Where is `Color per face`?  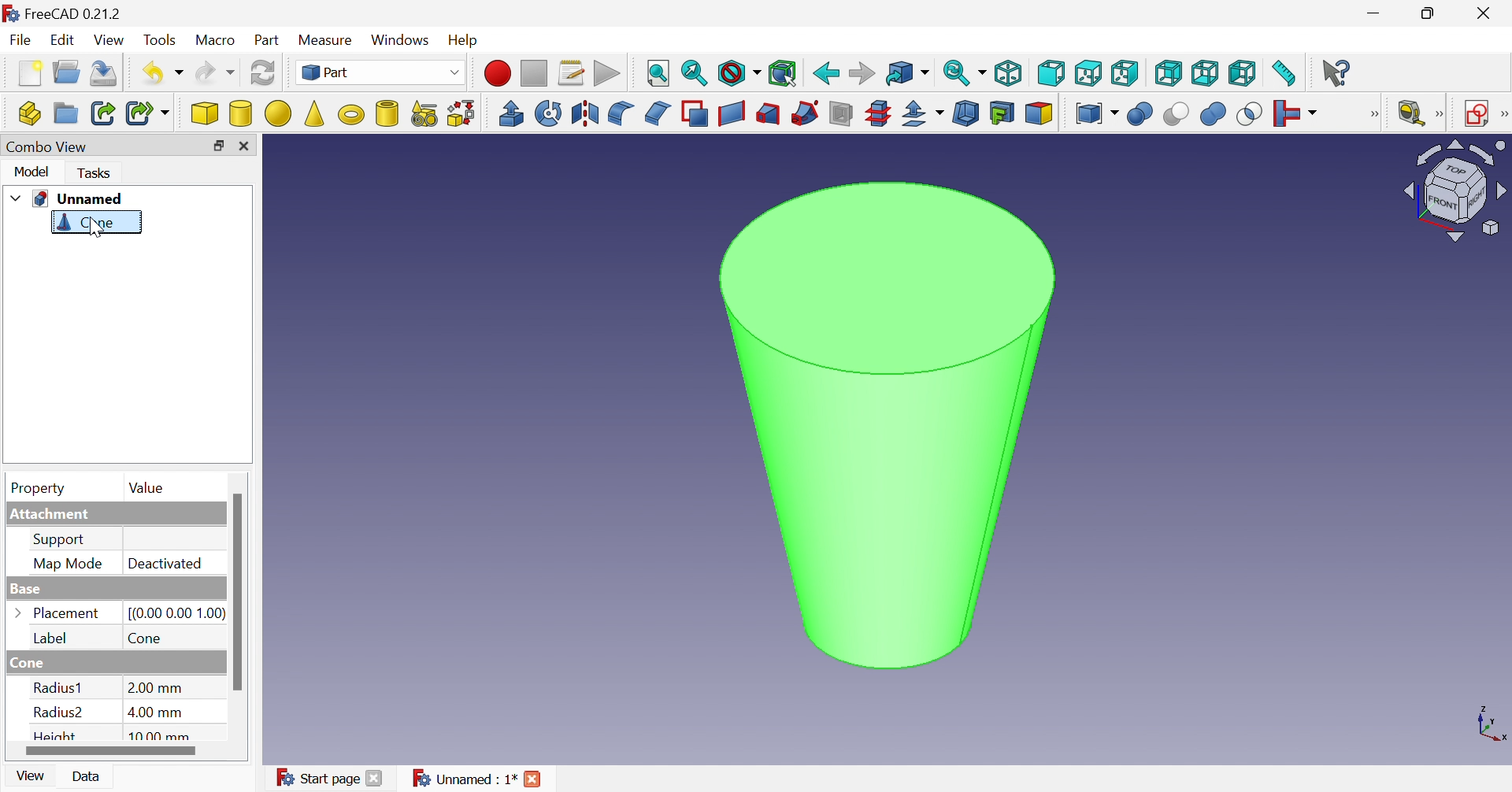
Color per face is located at coordinates (1038, 116).